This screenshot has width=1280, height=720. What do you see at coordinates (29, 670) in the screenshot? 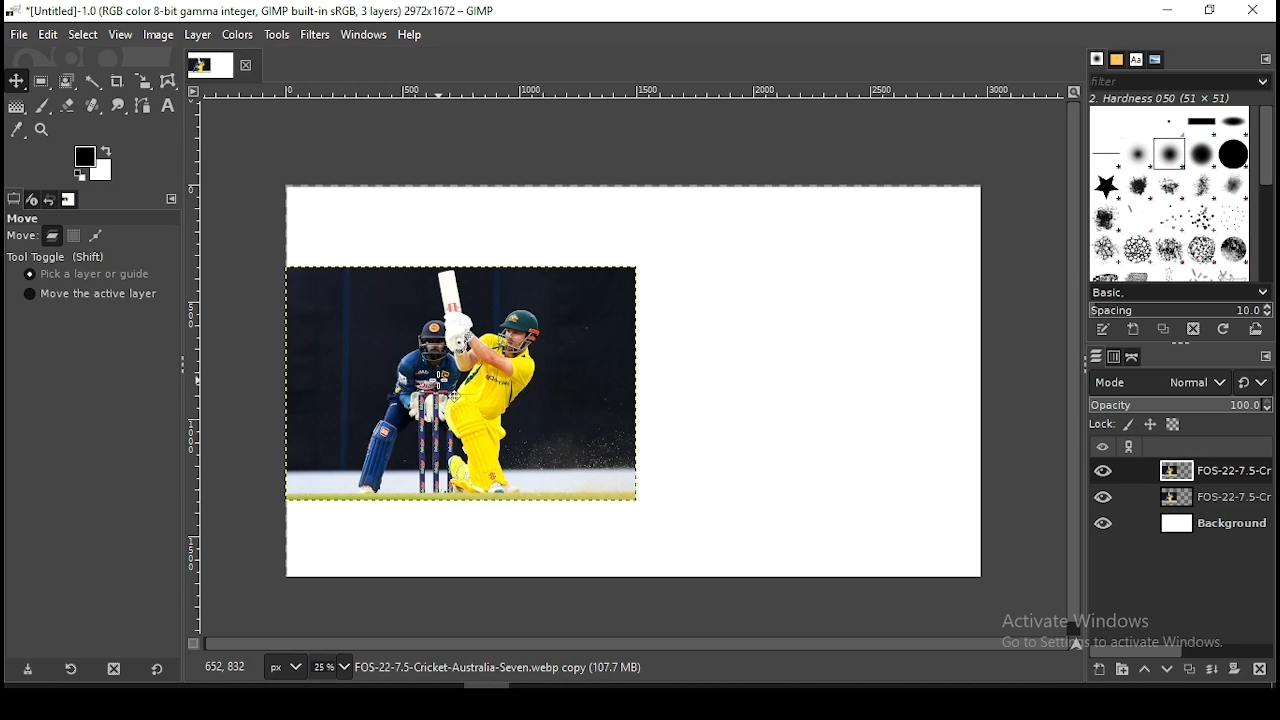
I see `save tool preset` at bounding box center [29, 670].